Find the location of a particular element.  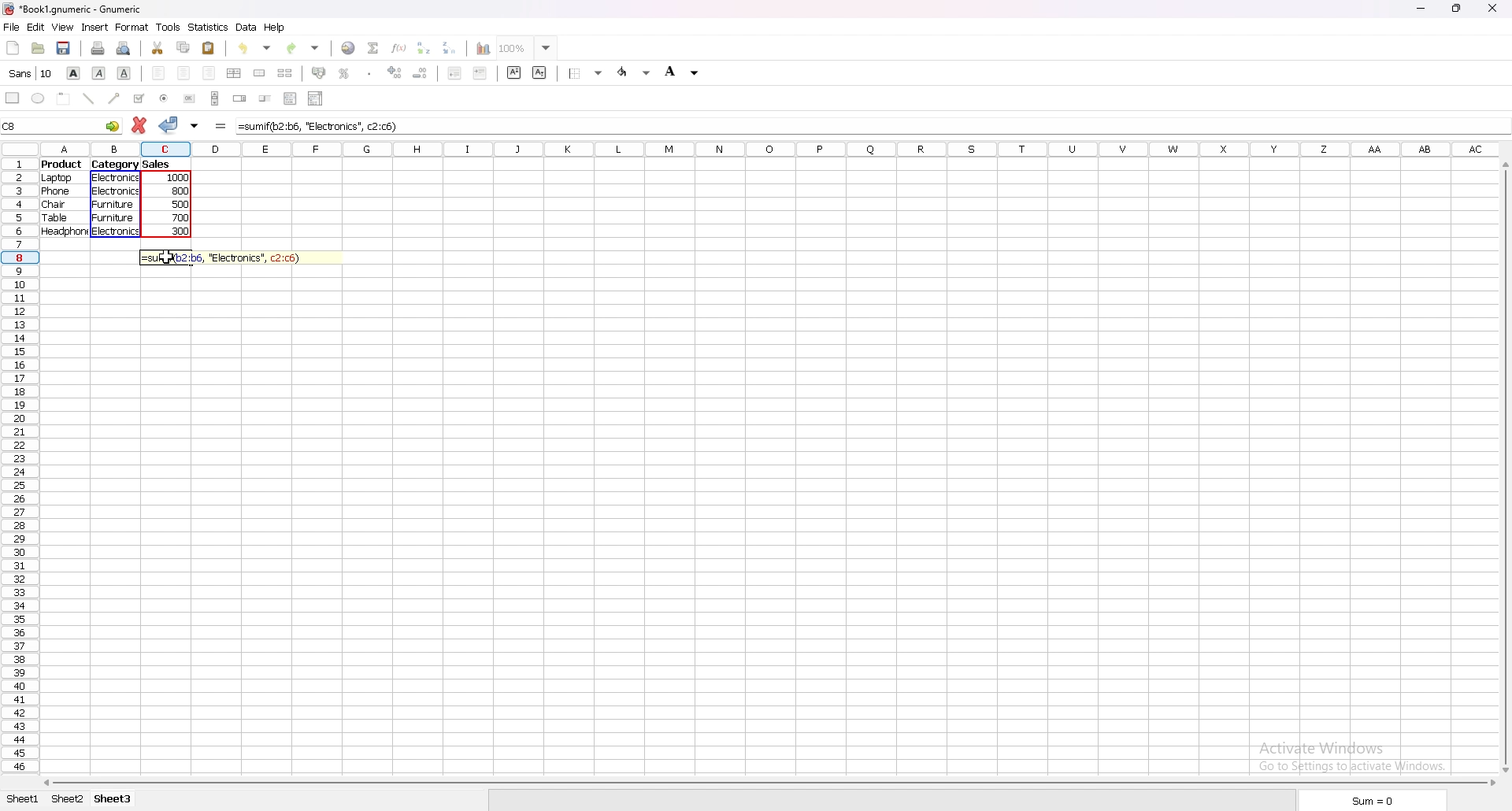

copy is located at coordinates (184, 46).